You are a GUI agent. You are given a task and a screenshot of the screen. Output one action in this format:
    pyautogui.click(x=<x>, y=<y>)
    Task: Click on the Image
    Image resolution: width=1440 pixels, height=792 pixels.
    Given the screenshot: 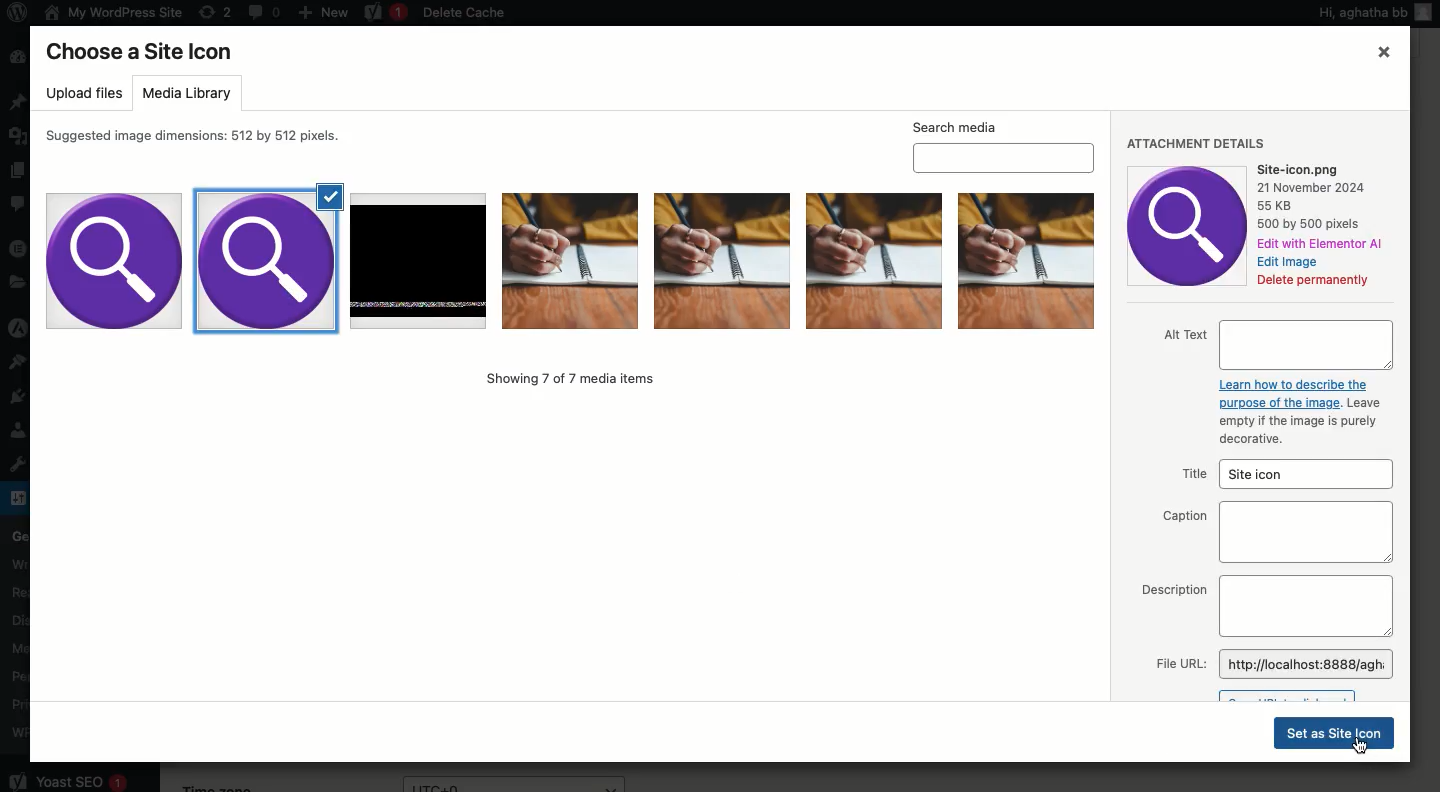 What is the action you would take?
    pyautogui.click(x=422, y=256)
    